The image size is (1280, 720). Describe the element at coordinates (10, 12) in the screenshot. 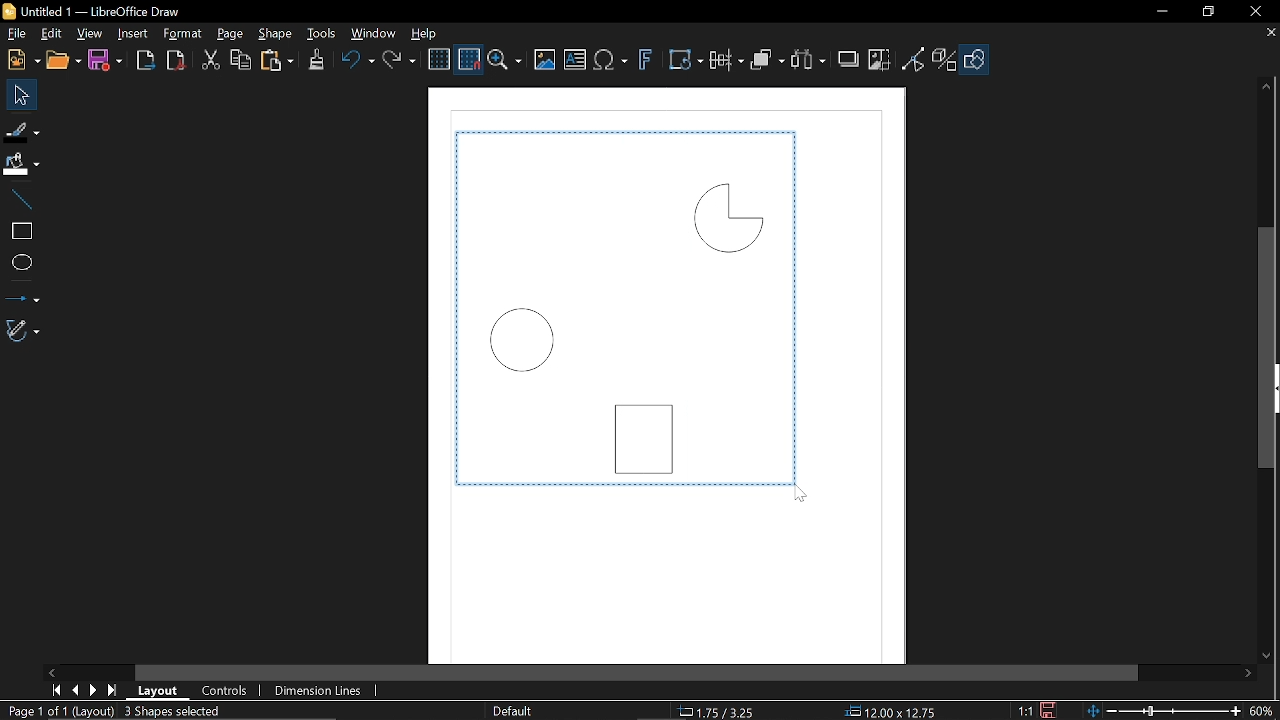

I see `LibreOffice Logo` at that location.